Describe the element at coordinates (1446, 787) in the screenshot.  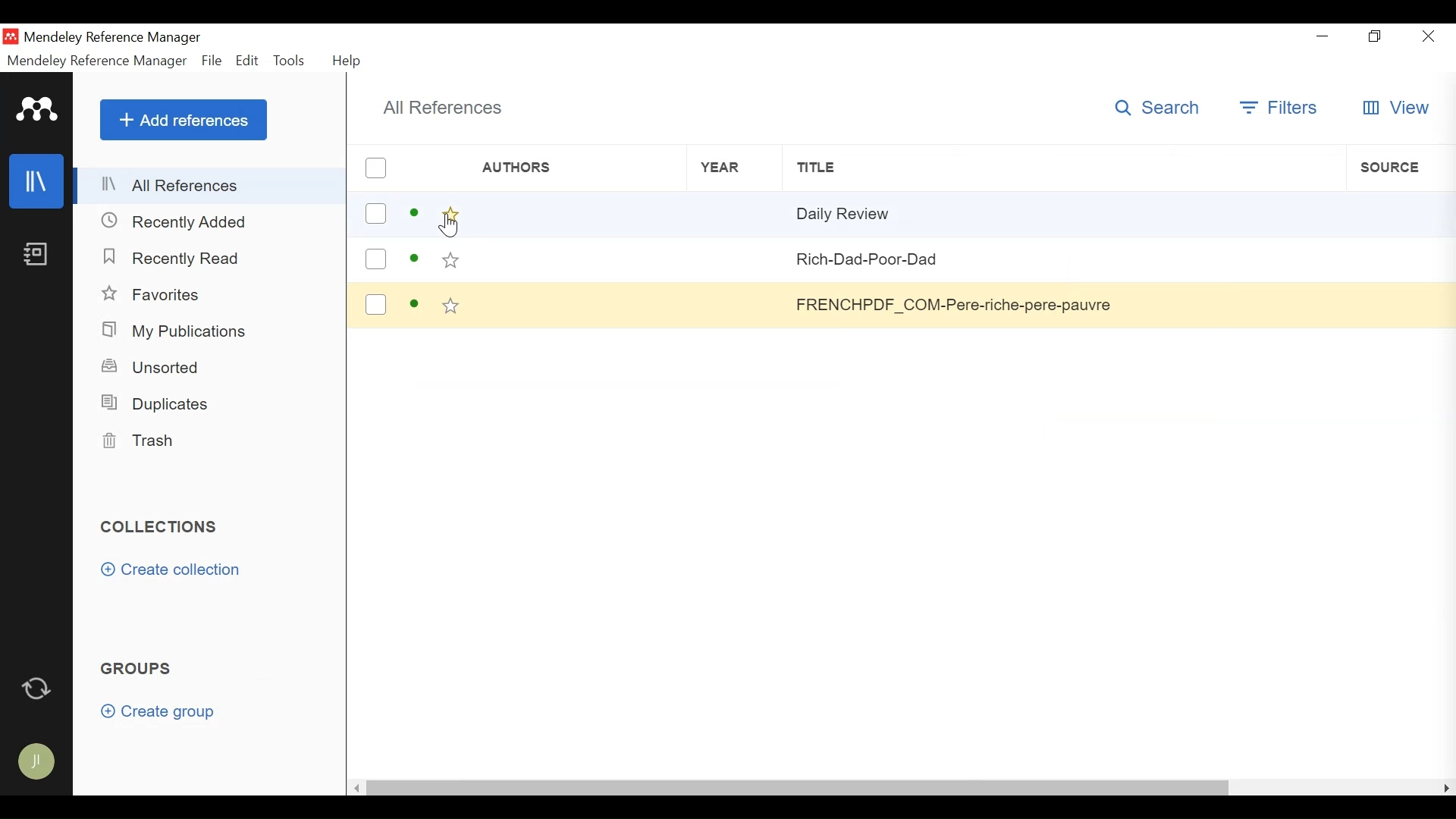
I see `Scroll Right` at that location.